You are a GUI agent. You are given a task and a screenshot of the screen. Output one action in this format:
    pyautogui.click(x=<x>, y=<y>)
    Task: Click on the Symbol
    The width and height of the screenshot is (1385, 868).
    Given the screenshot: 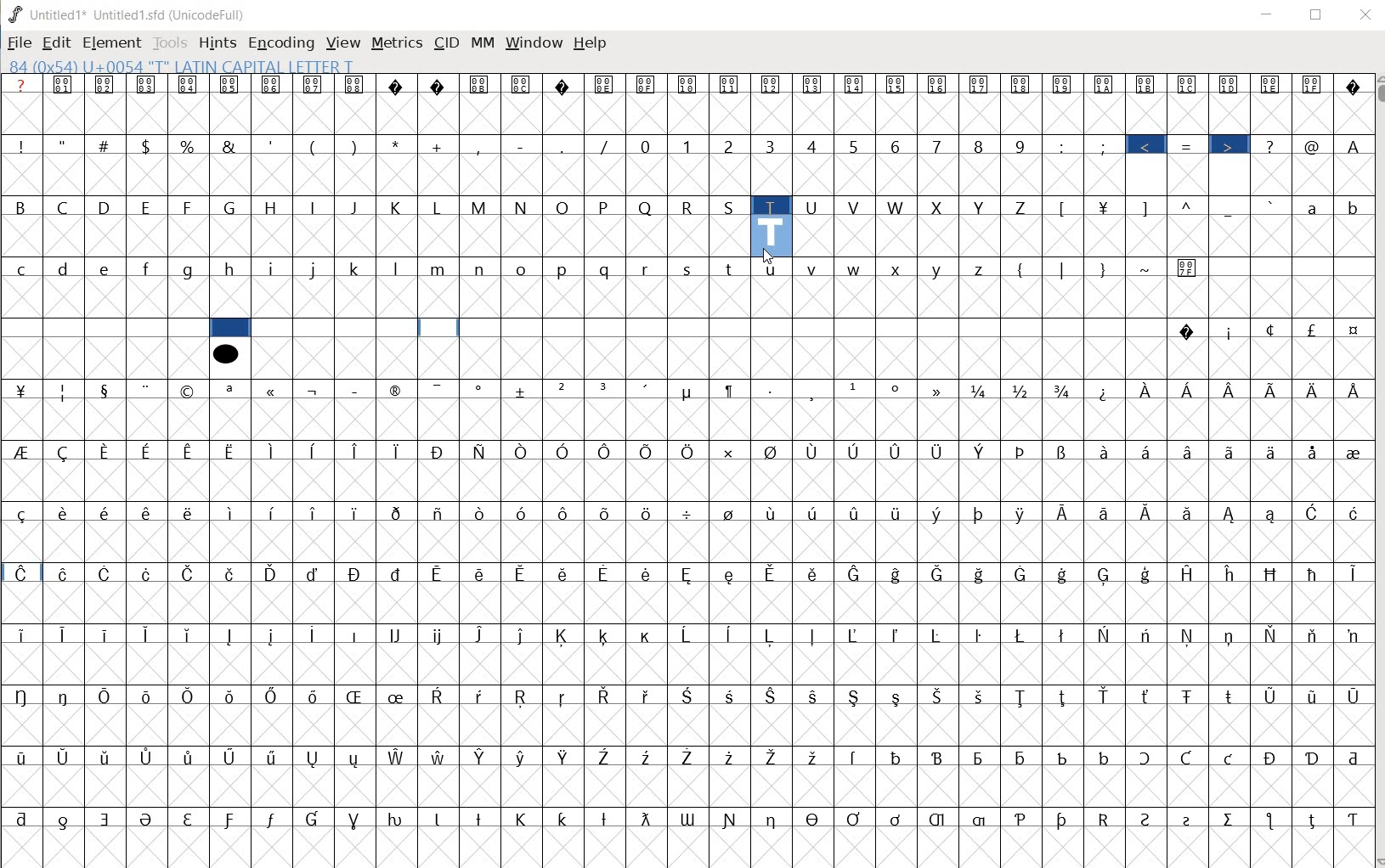 What is the action you would take?
    pyautogui.click(x=729, y=451)
    